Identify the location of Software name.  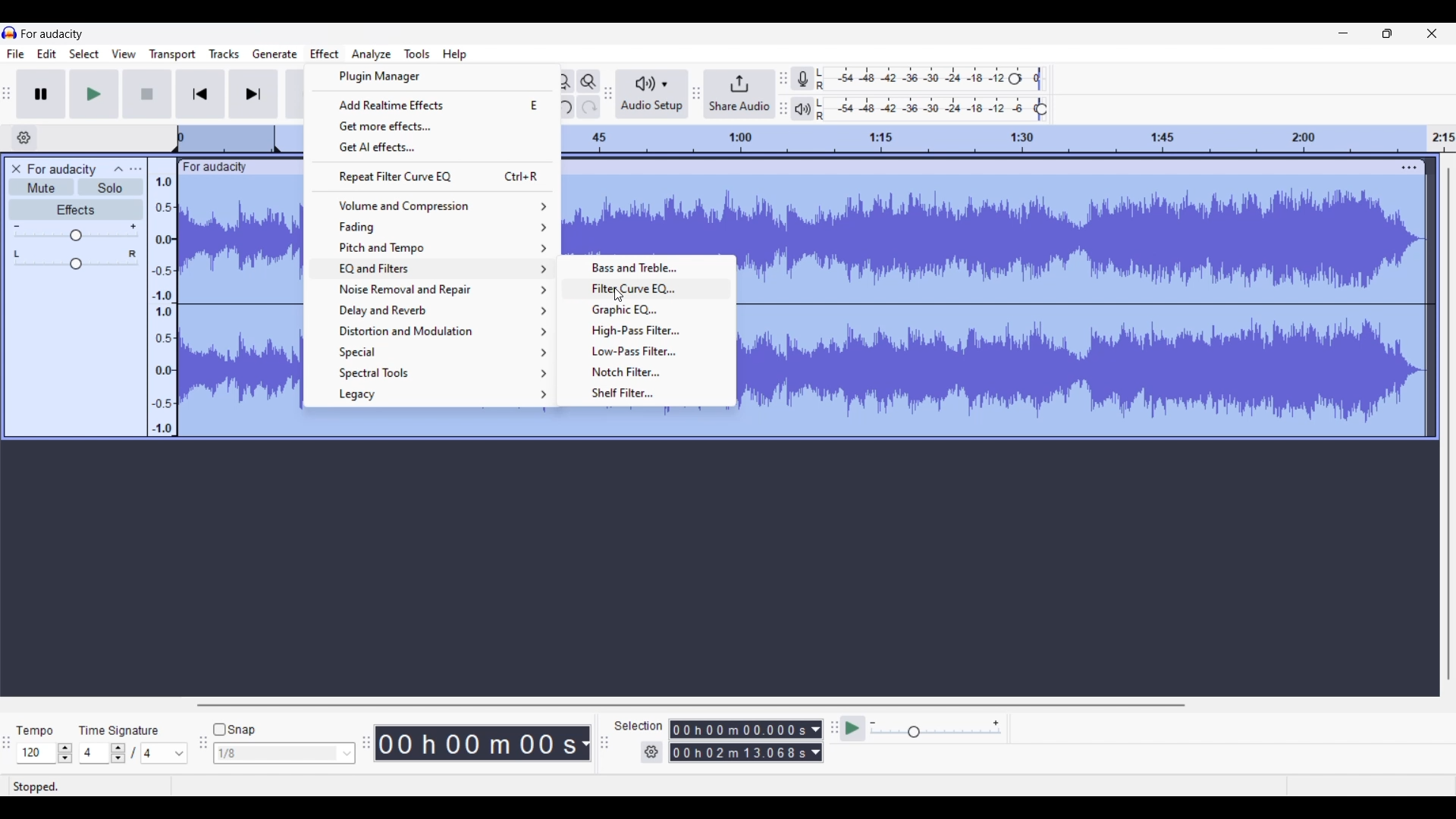
(53, 33).